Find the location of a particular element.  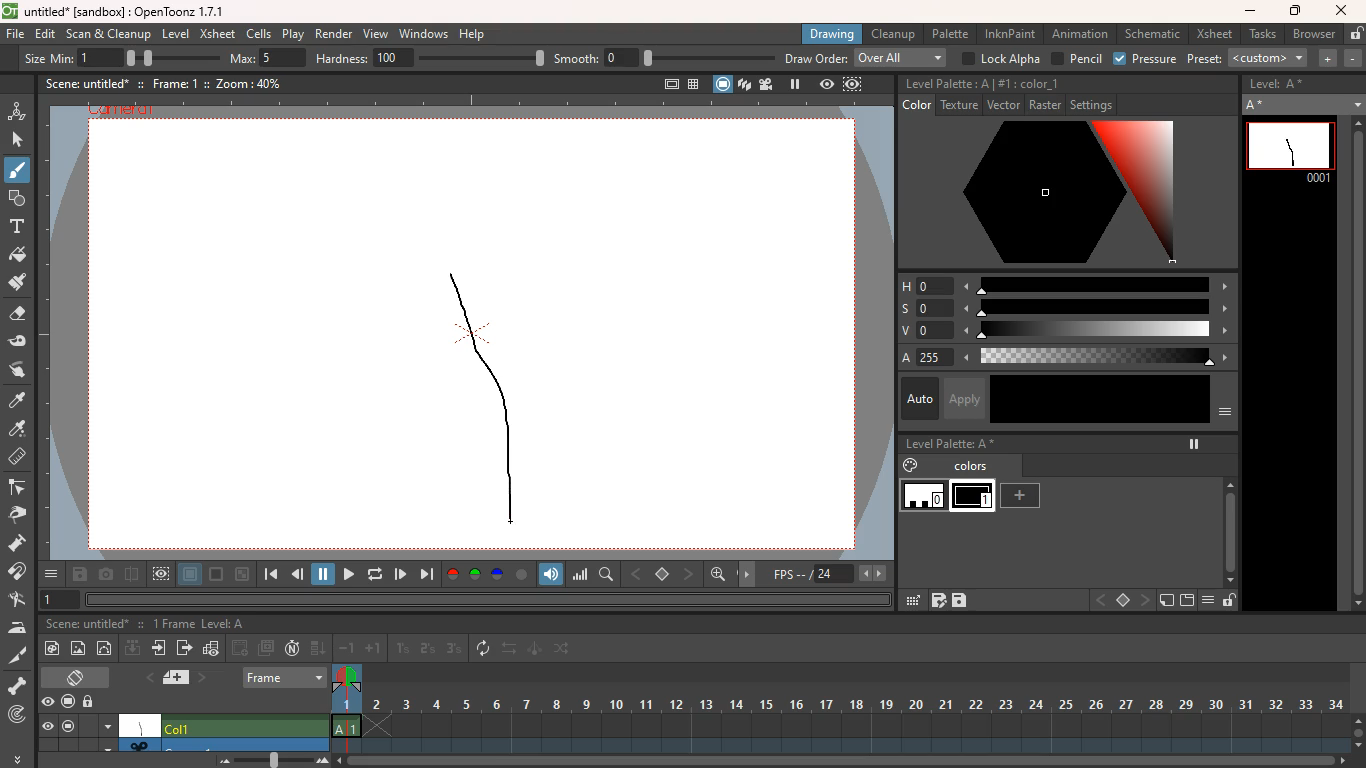

lock alpha is located at coordinates (1001, 58).